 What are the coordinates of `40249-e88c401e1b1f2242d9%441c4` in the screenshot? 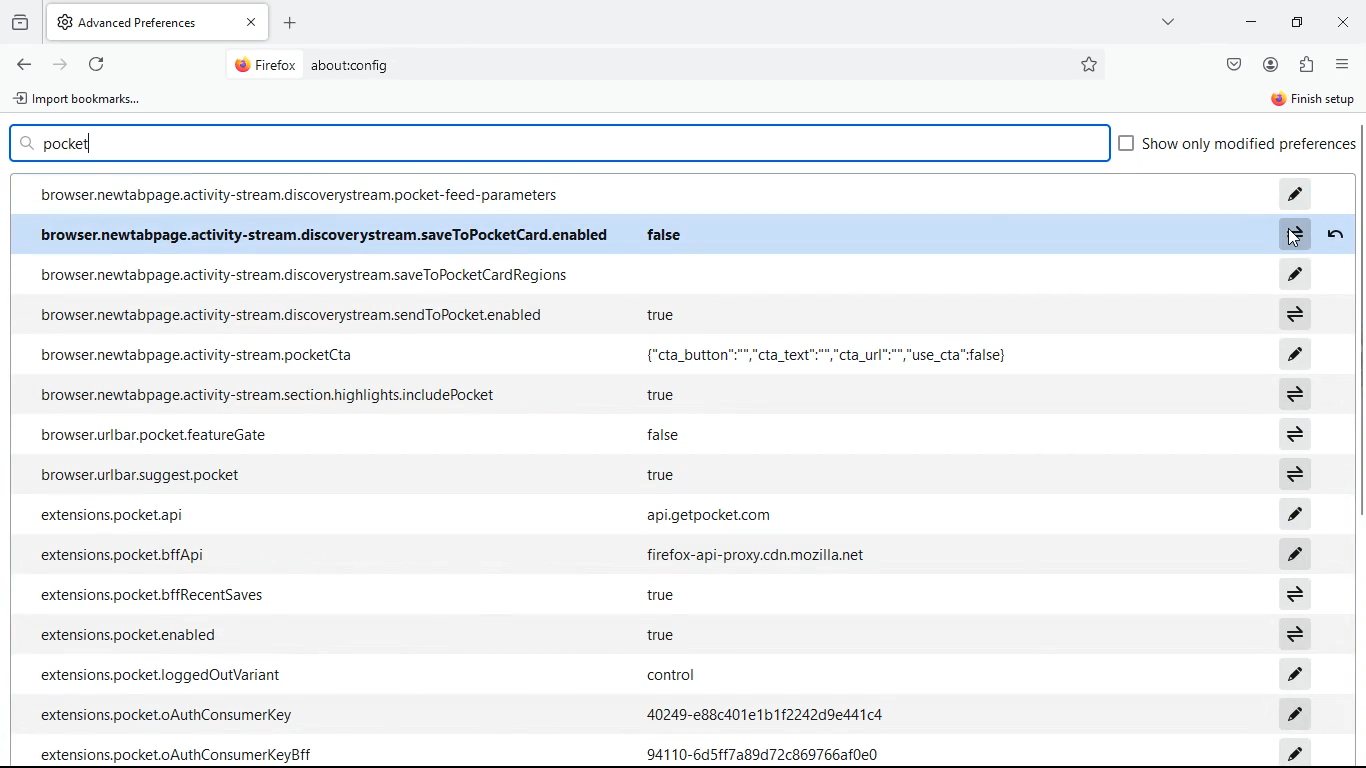 It's located at (763, 713).